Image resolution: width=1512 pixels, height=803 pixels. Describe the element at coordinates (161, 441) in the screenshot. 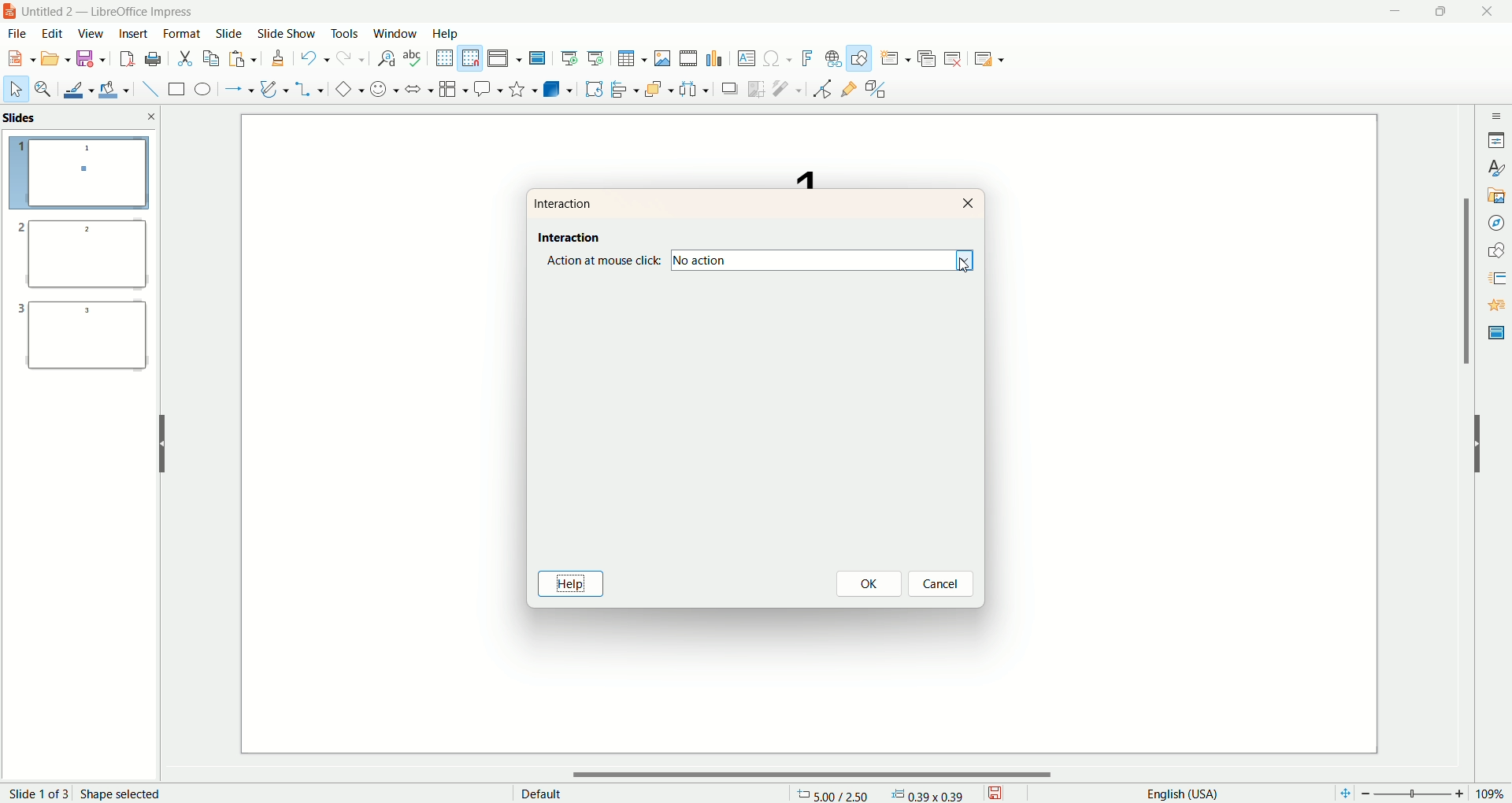

I see `hide` at that location.